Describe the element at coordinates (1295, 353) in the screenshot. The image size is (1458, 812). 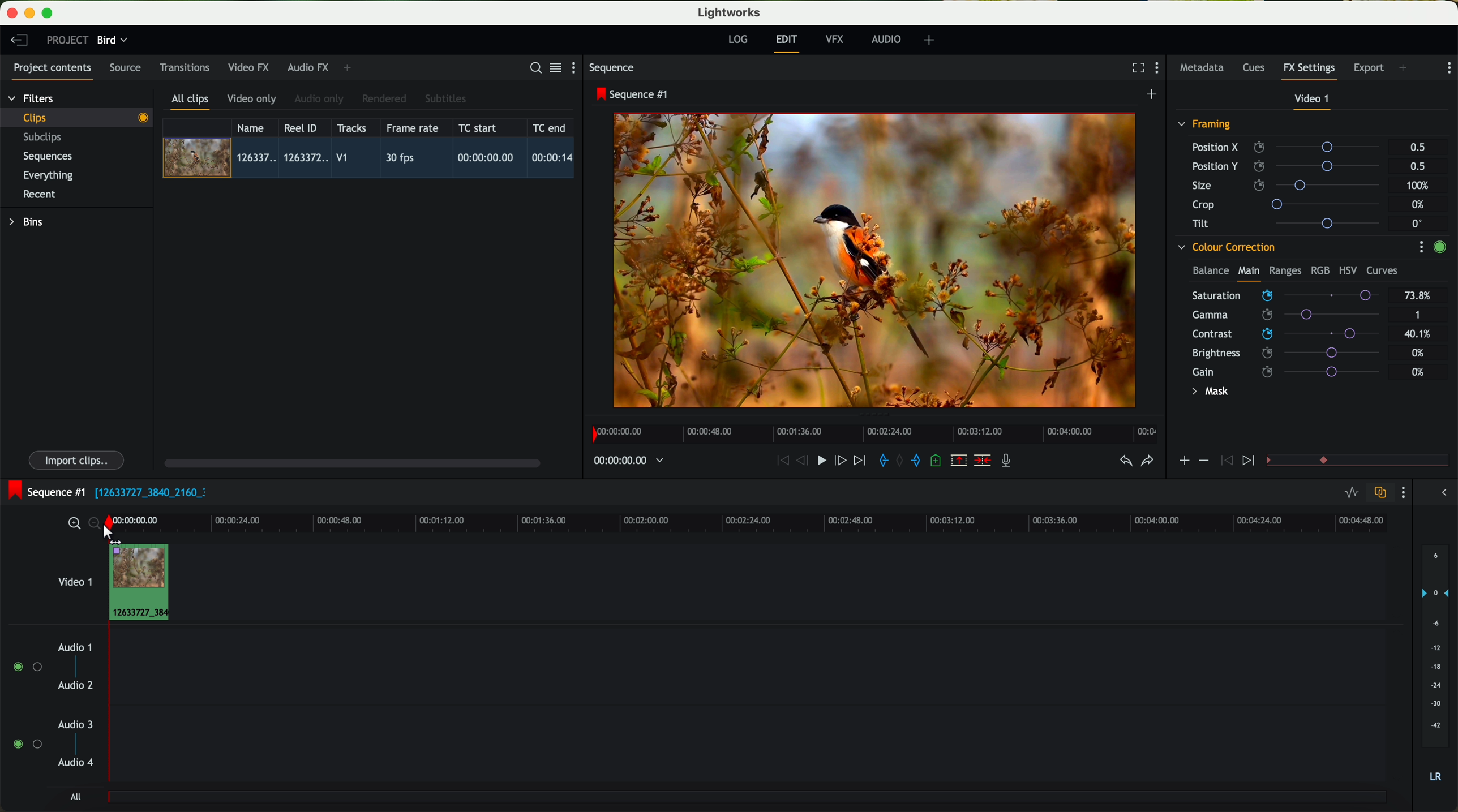
I see `brightness` at that location.